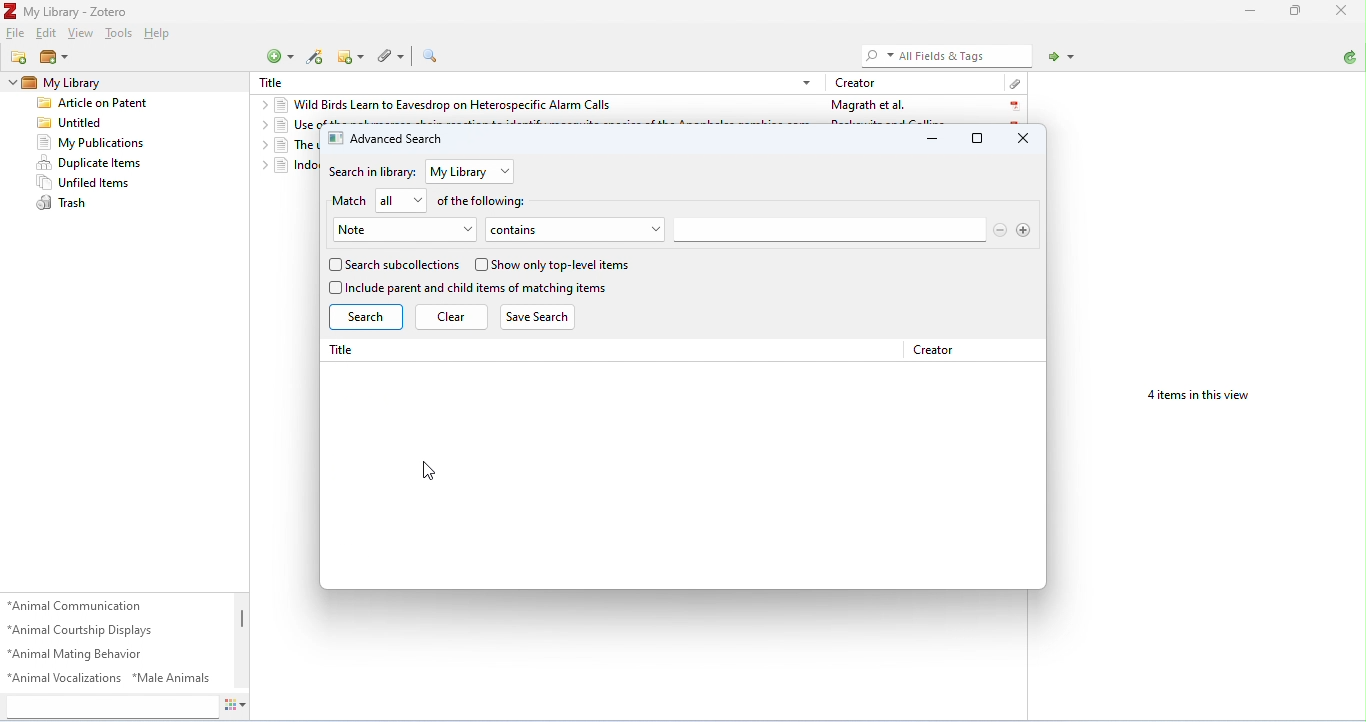 The height and width of the screenshot is (722, 1366). Describe the element at coordinates (979, 138) in the screenshot. I see `maximize` at that location.